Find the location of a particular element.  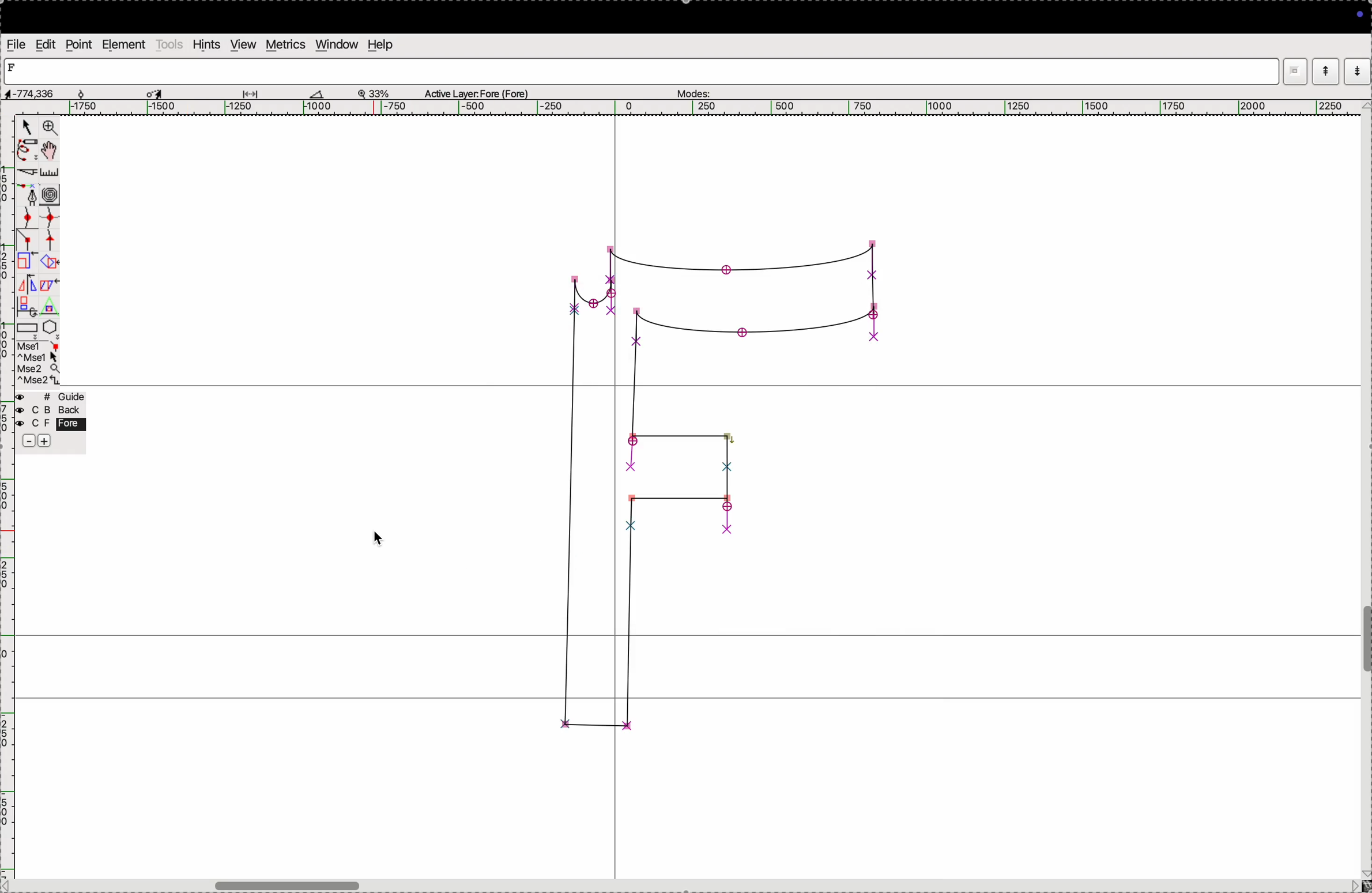

cursor is located at coordinates (25, 128).